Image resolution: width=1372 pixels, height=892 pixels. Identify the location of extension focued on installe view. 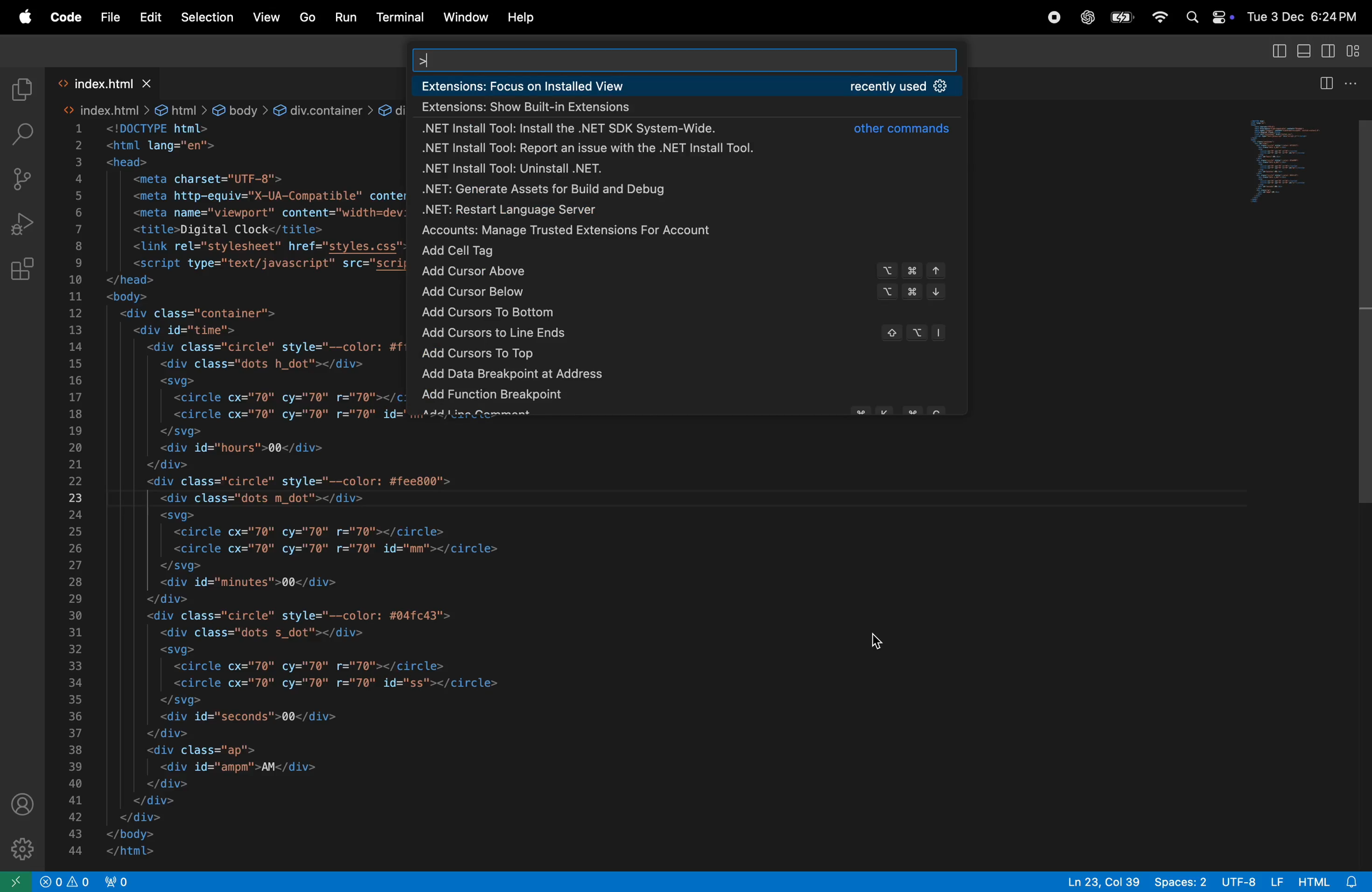
(689, 84).